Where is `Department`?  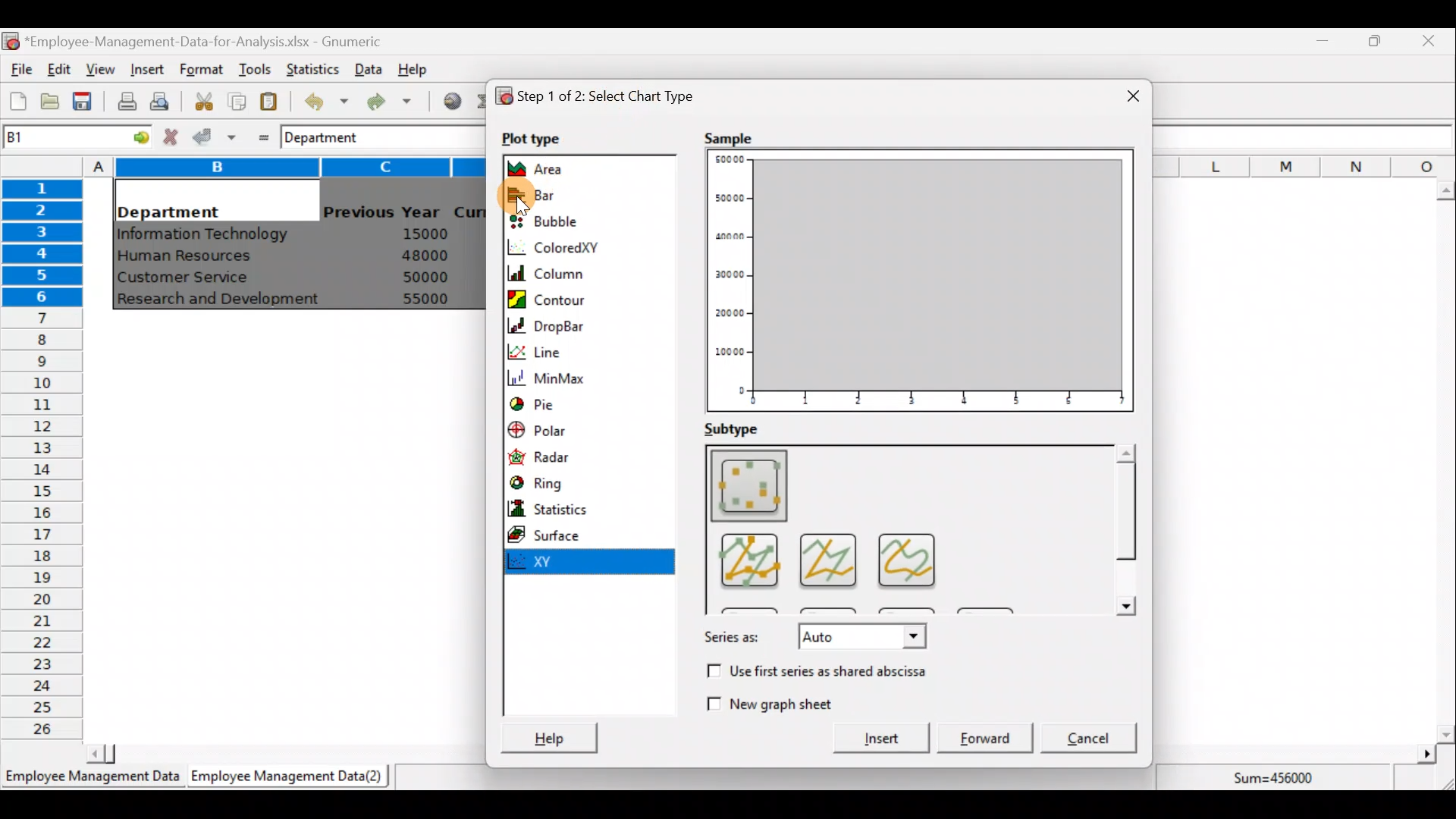 Department is located at coordinates (168, 208).